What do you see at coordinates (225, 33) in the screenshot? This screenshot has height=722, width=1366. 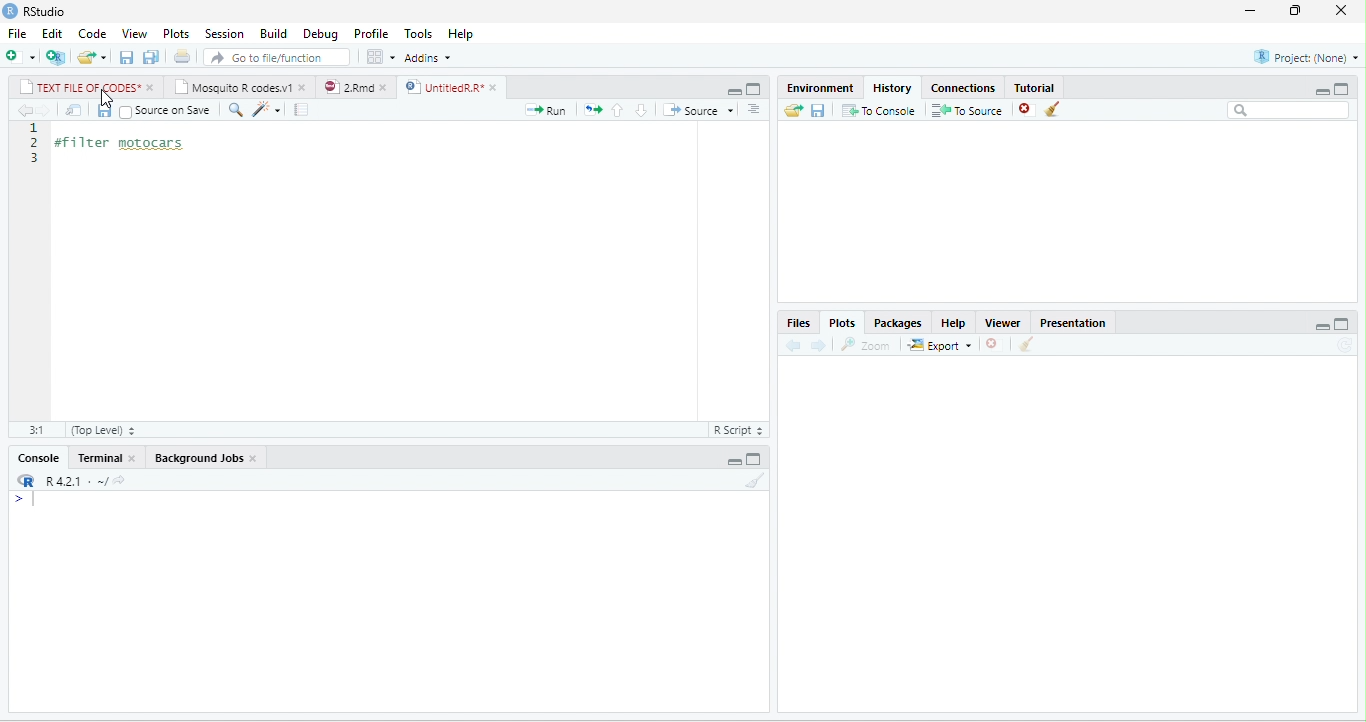 I see `Session` at bounding box center [225, 33].